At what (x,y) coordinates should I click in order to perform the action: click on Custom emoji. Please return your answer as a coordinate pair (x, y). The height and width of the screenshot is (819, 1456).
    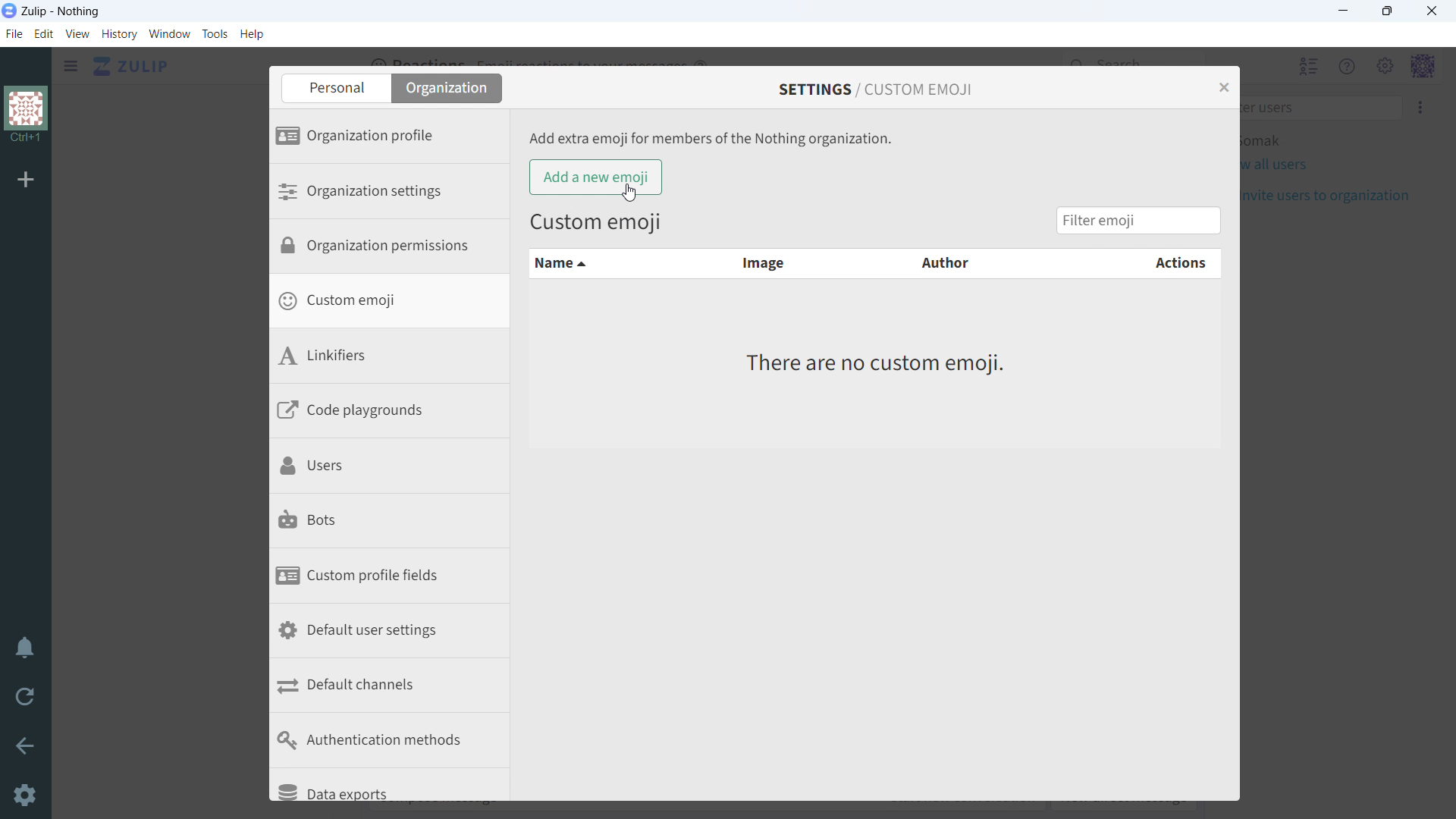
    Looking at the image, I should click on (596, 224).